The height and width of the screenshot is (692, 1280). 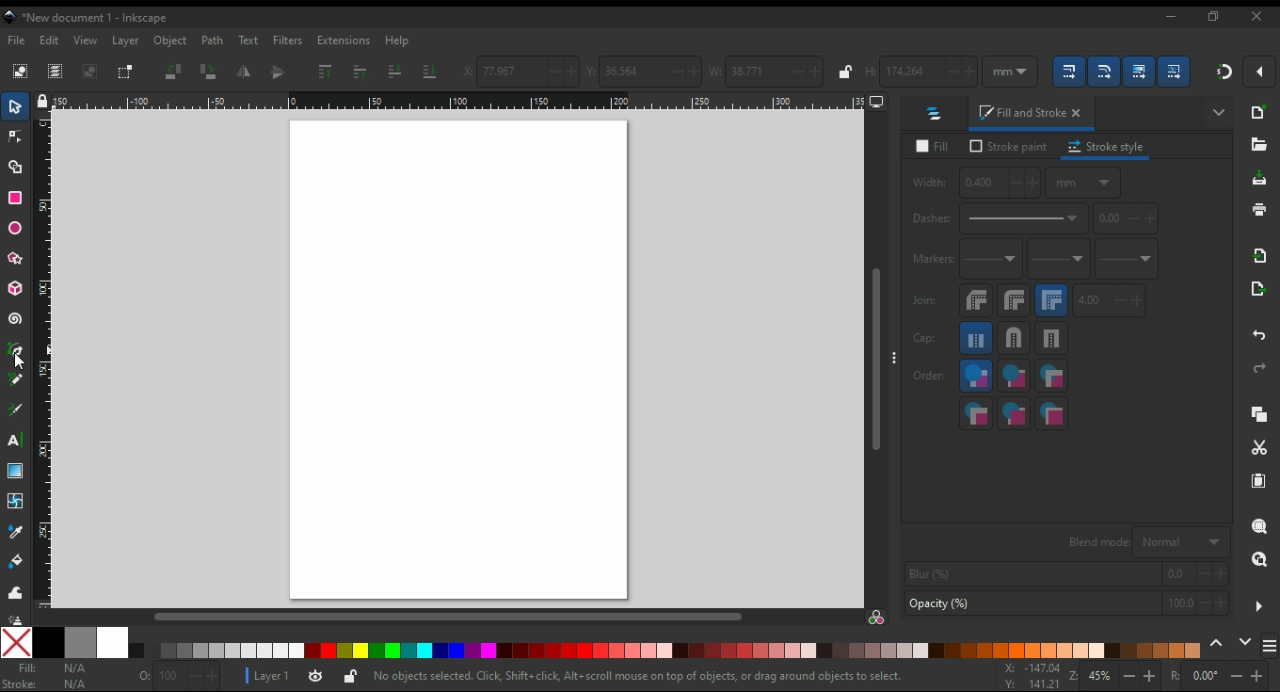 What do you see at coordinates (1259, 178) in the screenshot?
I see `save` at bounding box center [1259, 178].